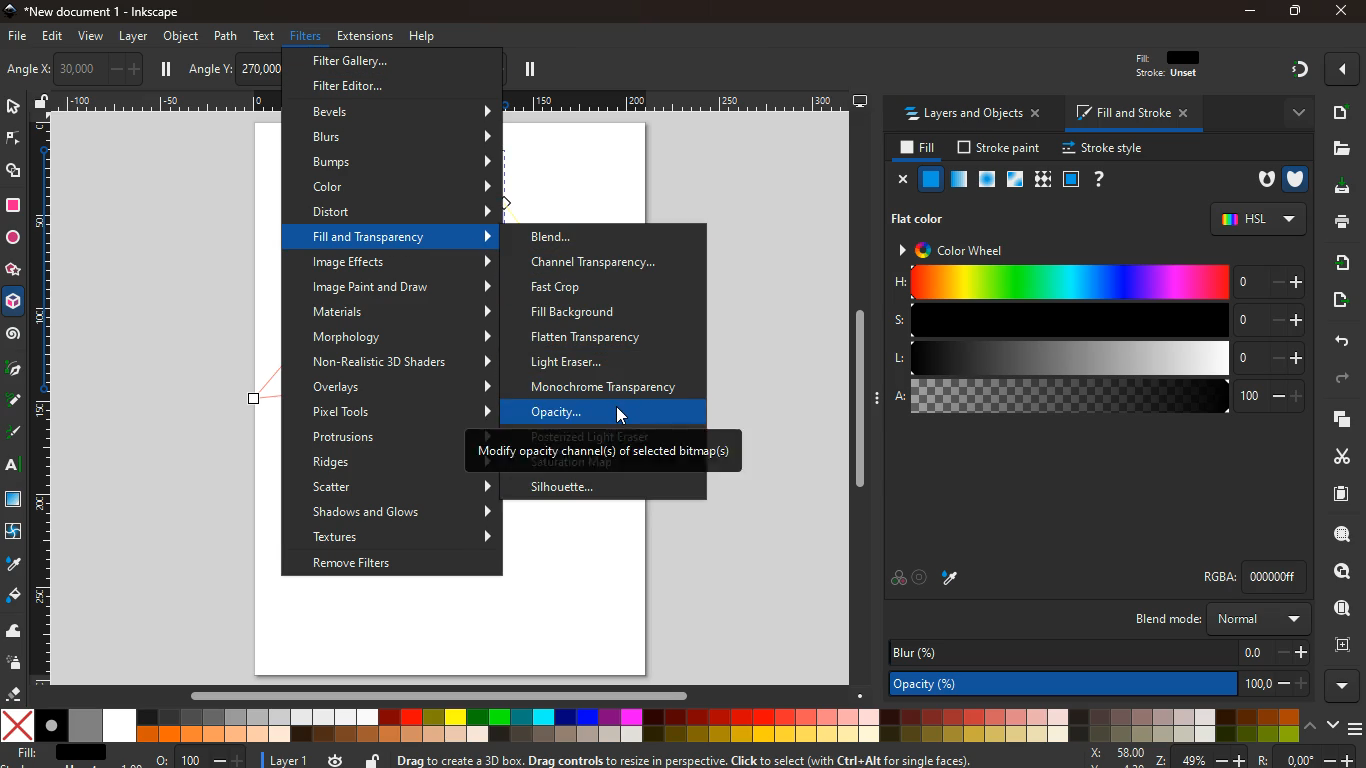  Describe the element at coordinates (861, 694) in the screenshot. I see `Down` at that location.